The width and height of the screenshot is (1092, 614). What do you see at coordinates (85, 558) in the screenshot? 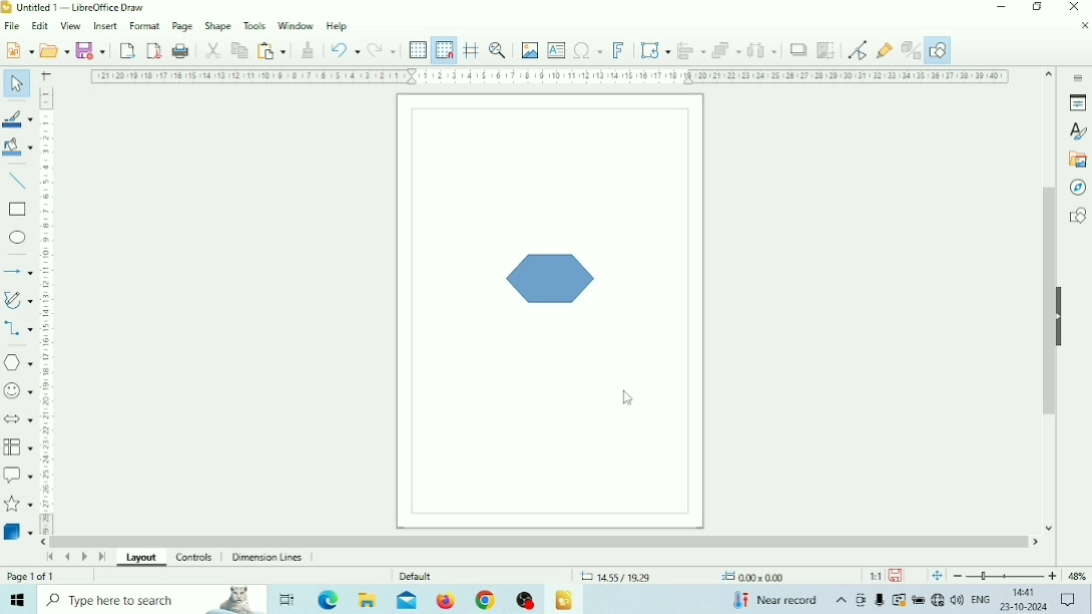
I see `Scroll to next page` at bounding box center [85, 558].